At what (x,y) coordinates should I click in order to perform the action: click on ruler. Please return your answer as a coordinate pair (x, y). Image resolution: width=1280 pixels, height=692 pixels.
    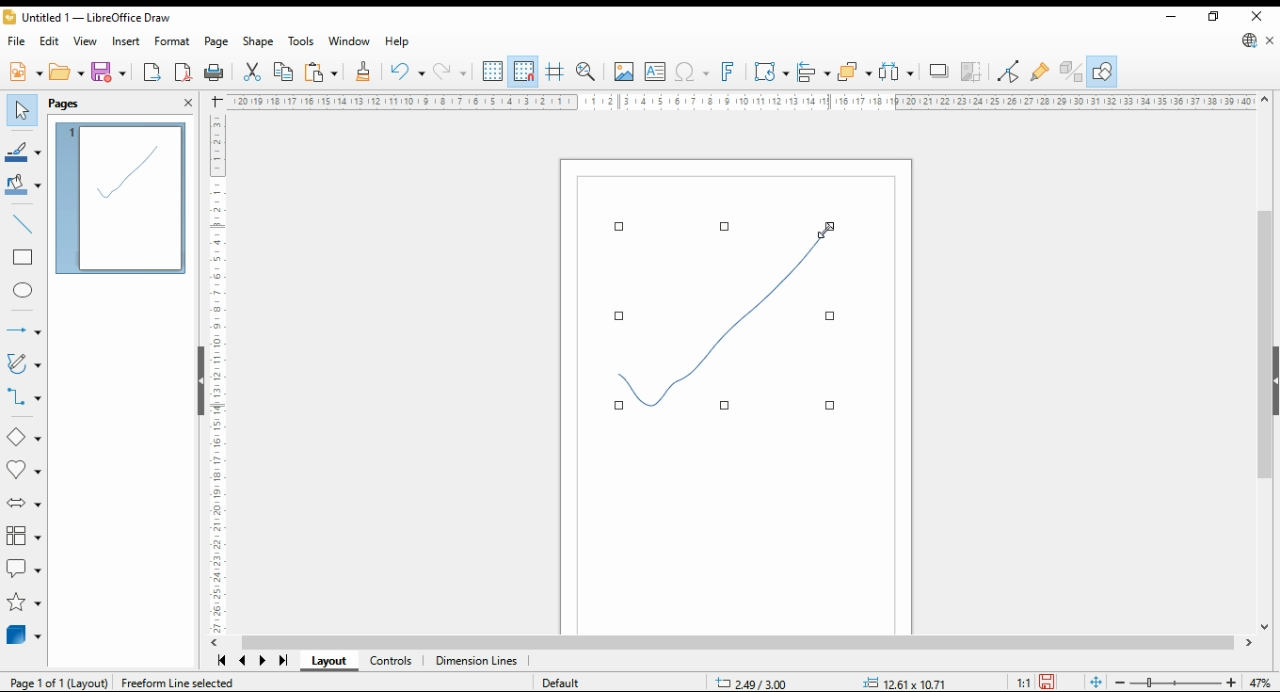
    Looking at the image, I should click on (739, 101).